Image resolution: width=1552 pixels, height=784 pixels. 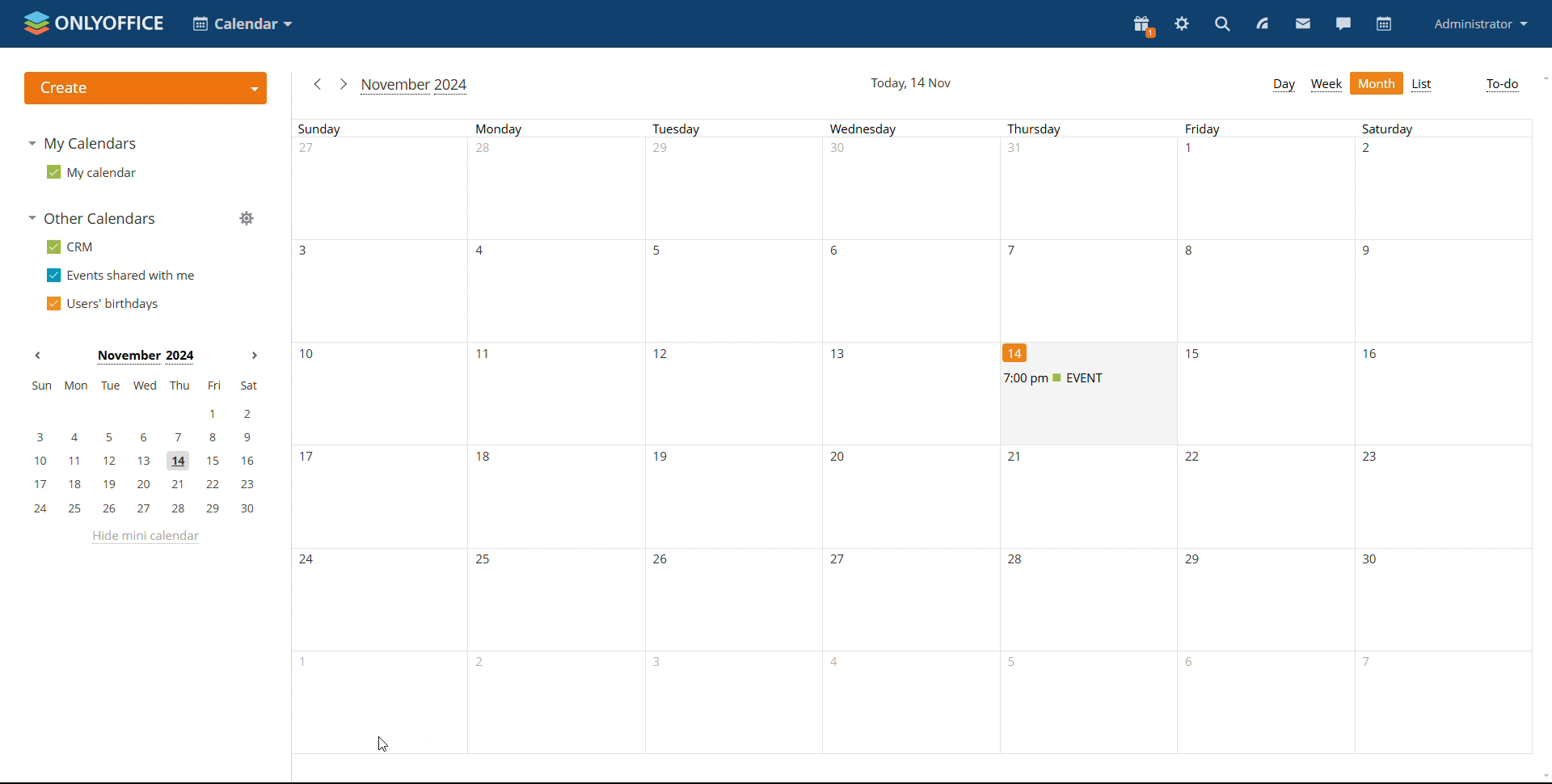 What do you see at coordinates (911, 126) in the screenshot?
I see `week days` at bounding box center [911, 126].